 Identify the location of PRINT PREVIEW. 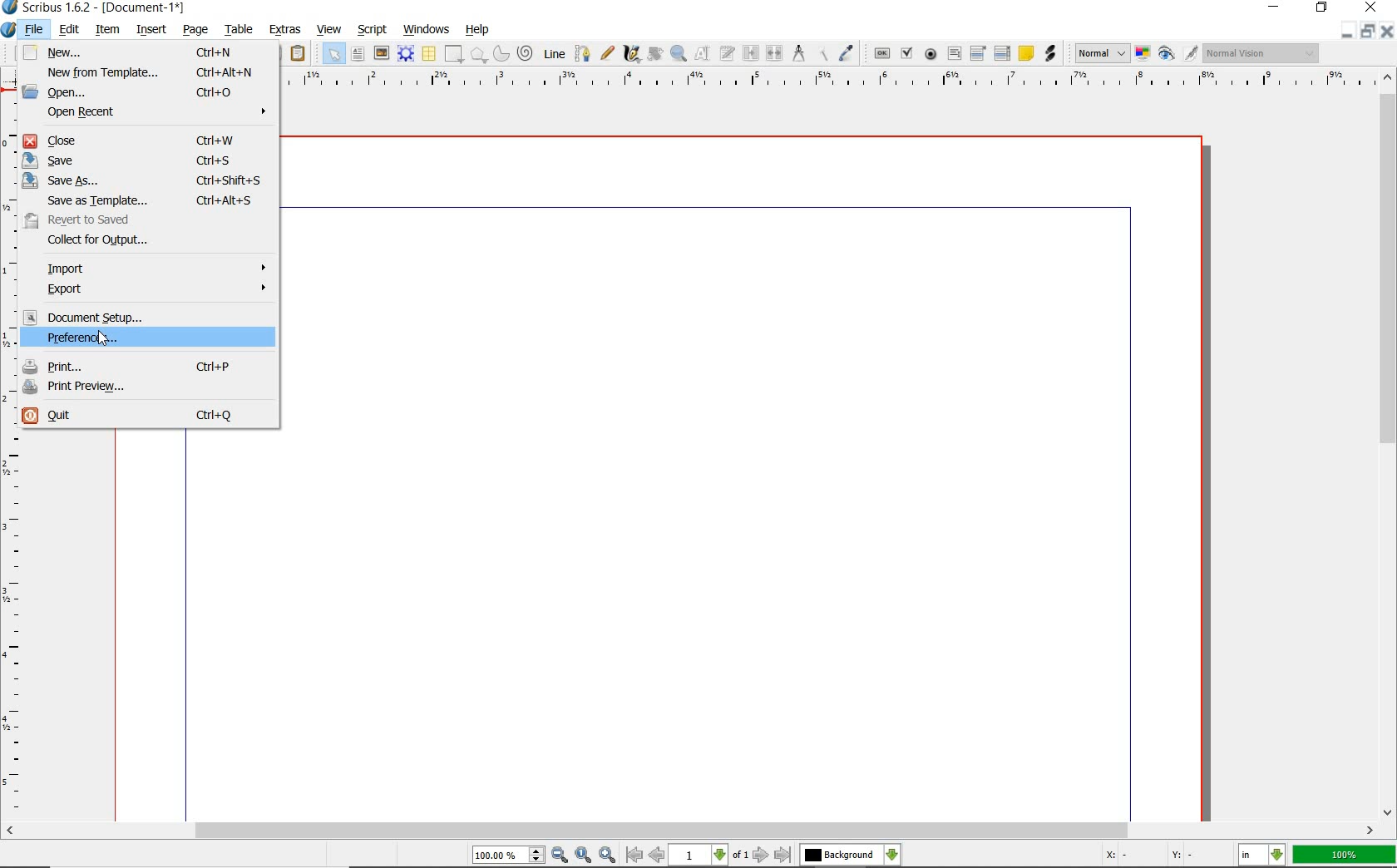
(145, 389).